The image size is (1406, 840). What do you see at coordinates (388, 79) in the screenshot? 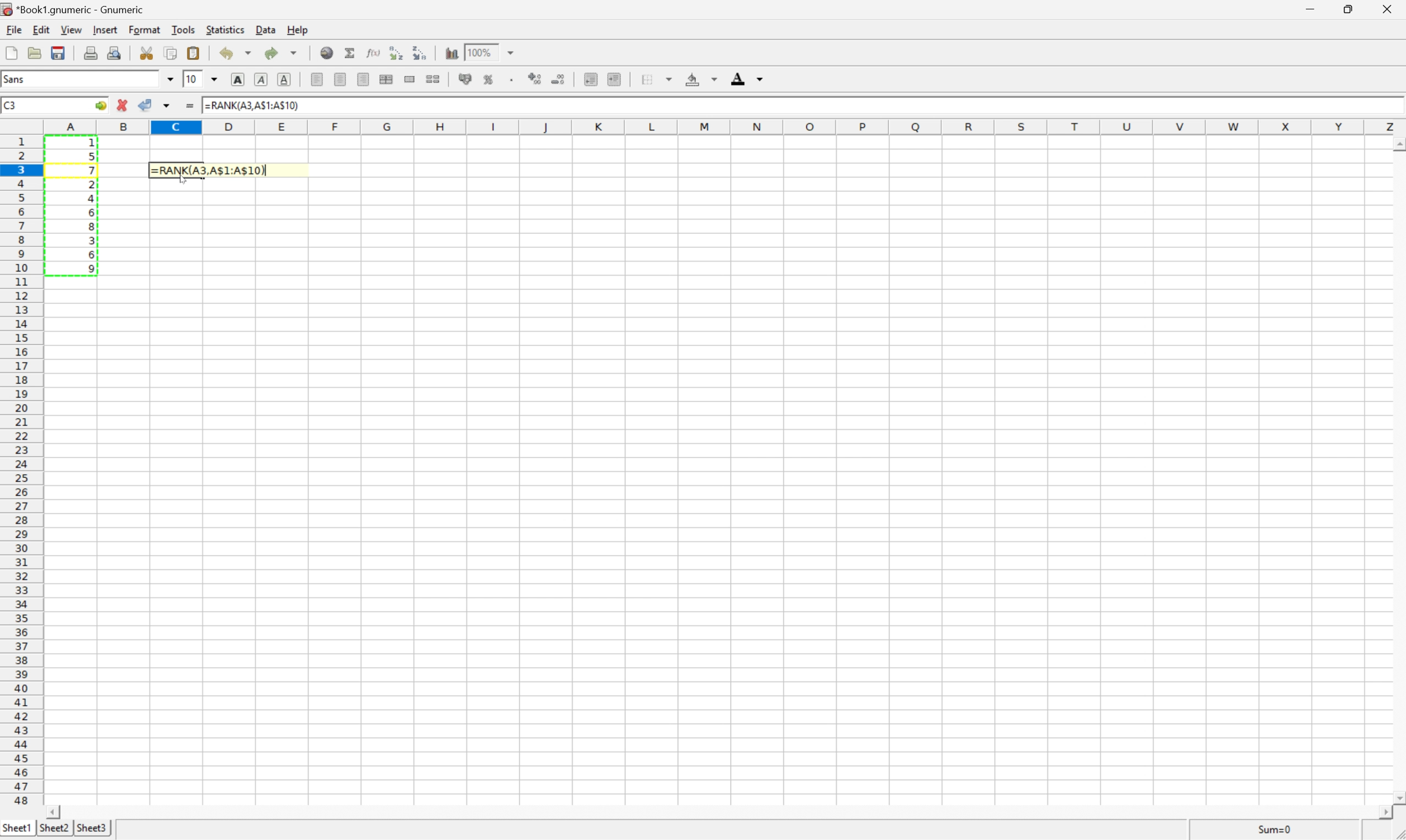
I see `center horizontally` at bounding box center [388, 79].